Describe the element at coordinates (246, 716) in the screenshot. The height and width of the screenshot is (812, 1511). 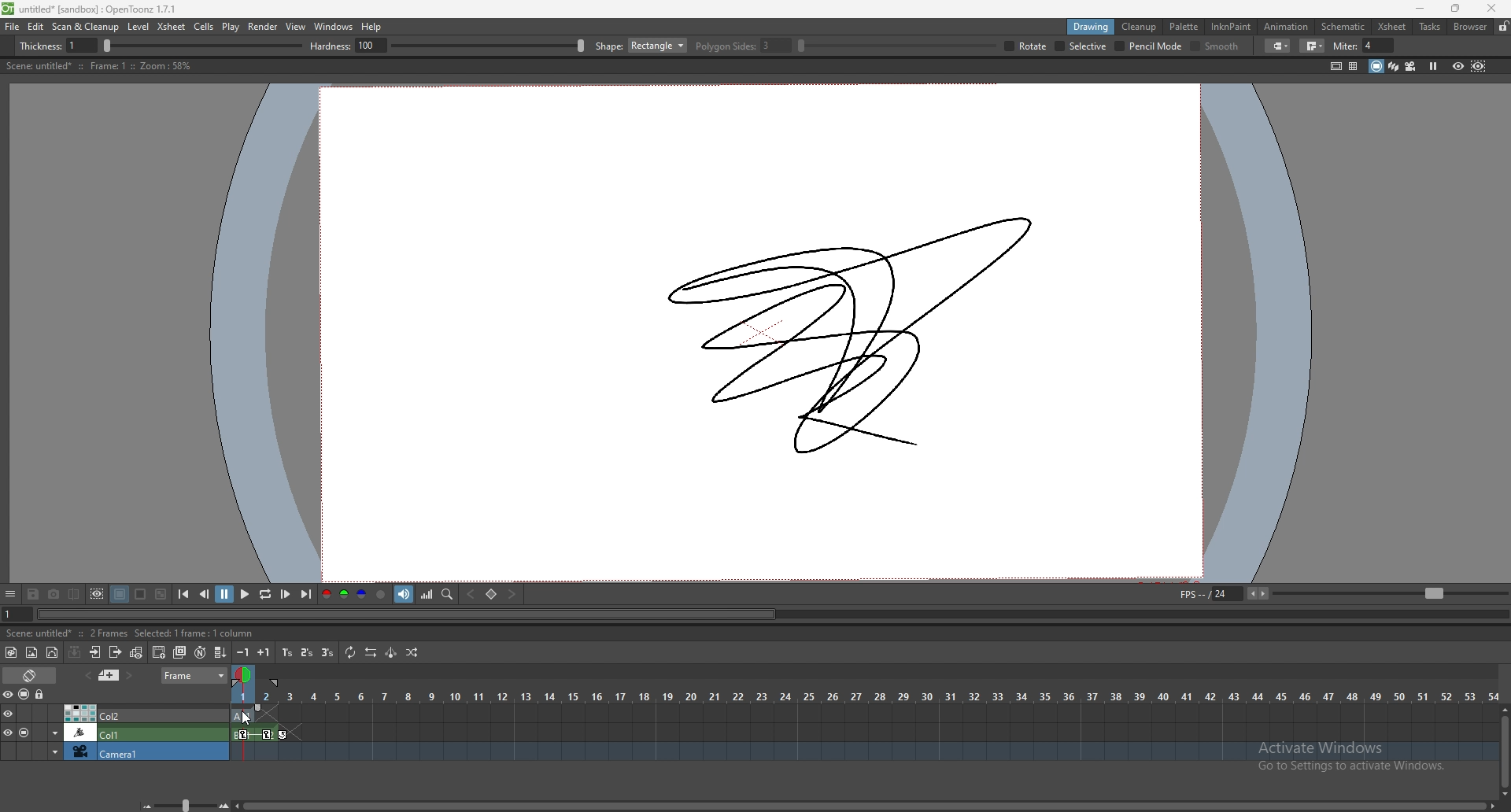
I see `cursor` at that location.